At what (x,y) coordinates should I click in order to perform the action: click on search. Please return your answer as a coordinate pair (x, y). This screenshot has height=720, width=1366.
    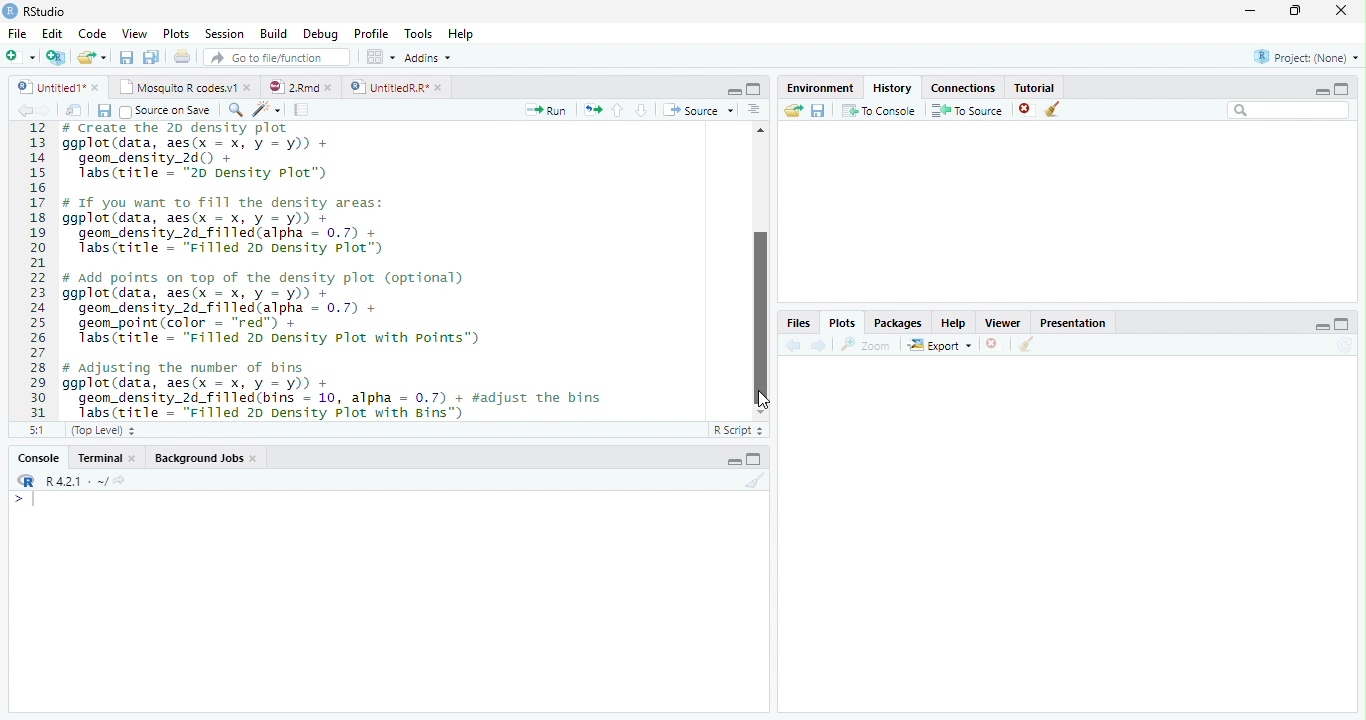
    Looking at the image, I should click on (232, 109).